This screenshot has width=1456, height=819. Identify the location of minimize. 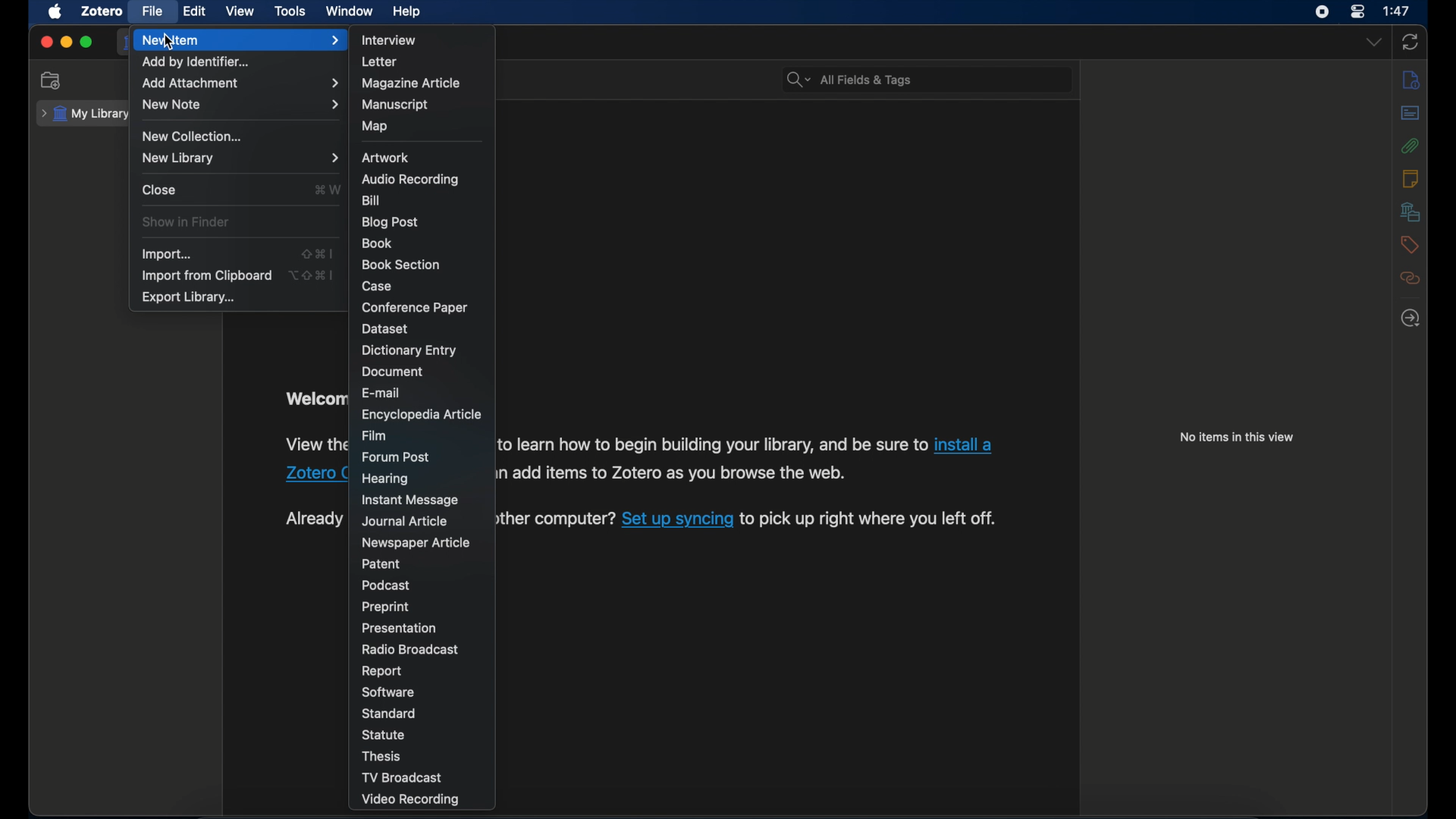
(67, 42).